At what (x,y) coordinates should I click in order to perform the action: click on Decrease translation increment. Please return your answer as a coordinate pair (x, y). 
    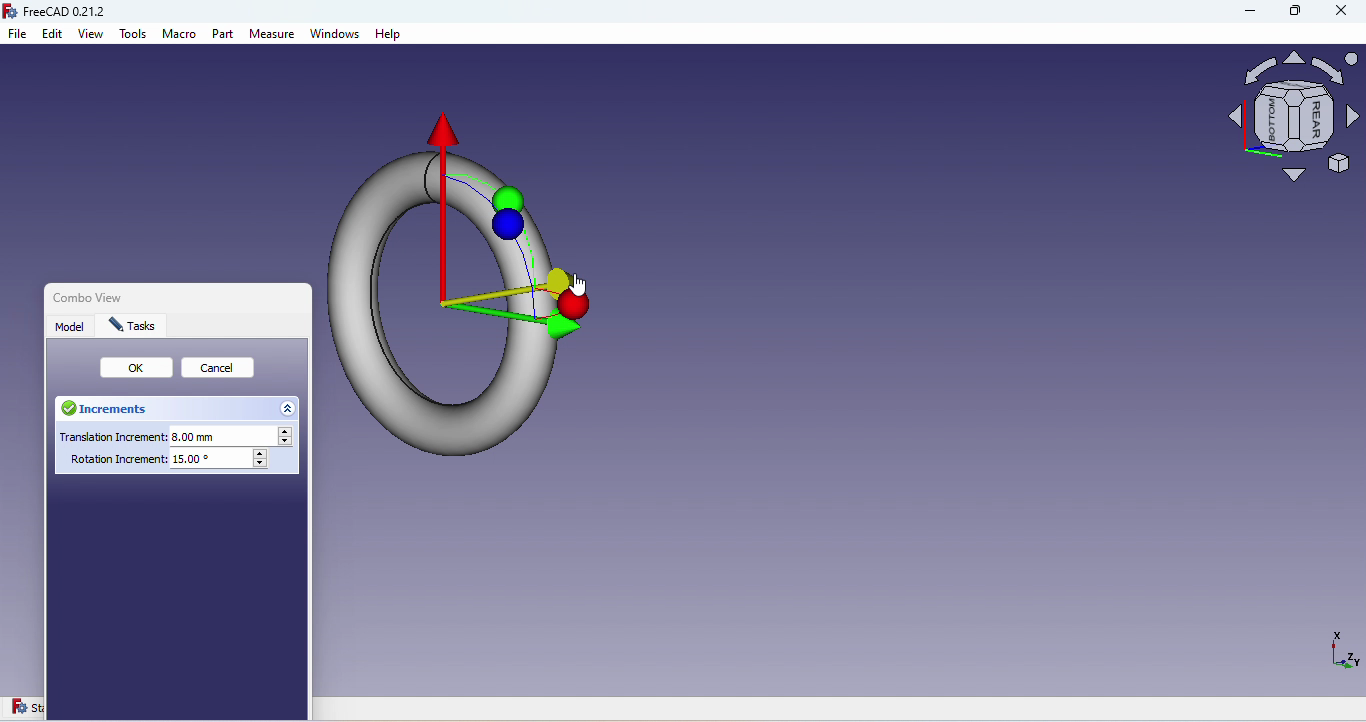
    Looking at the image, I should click on (288, 443).